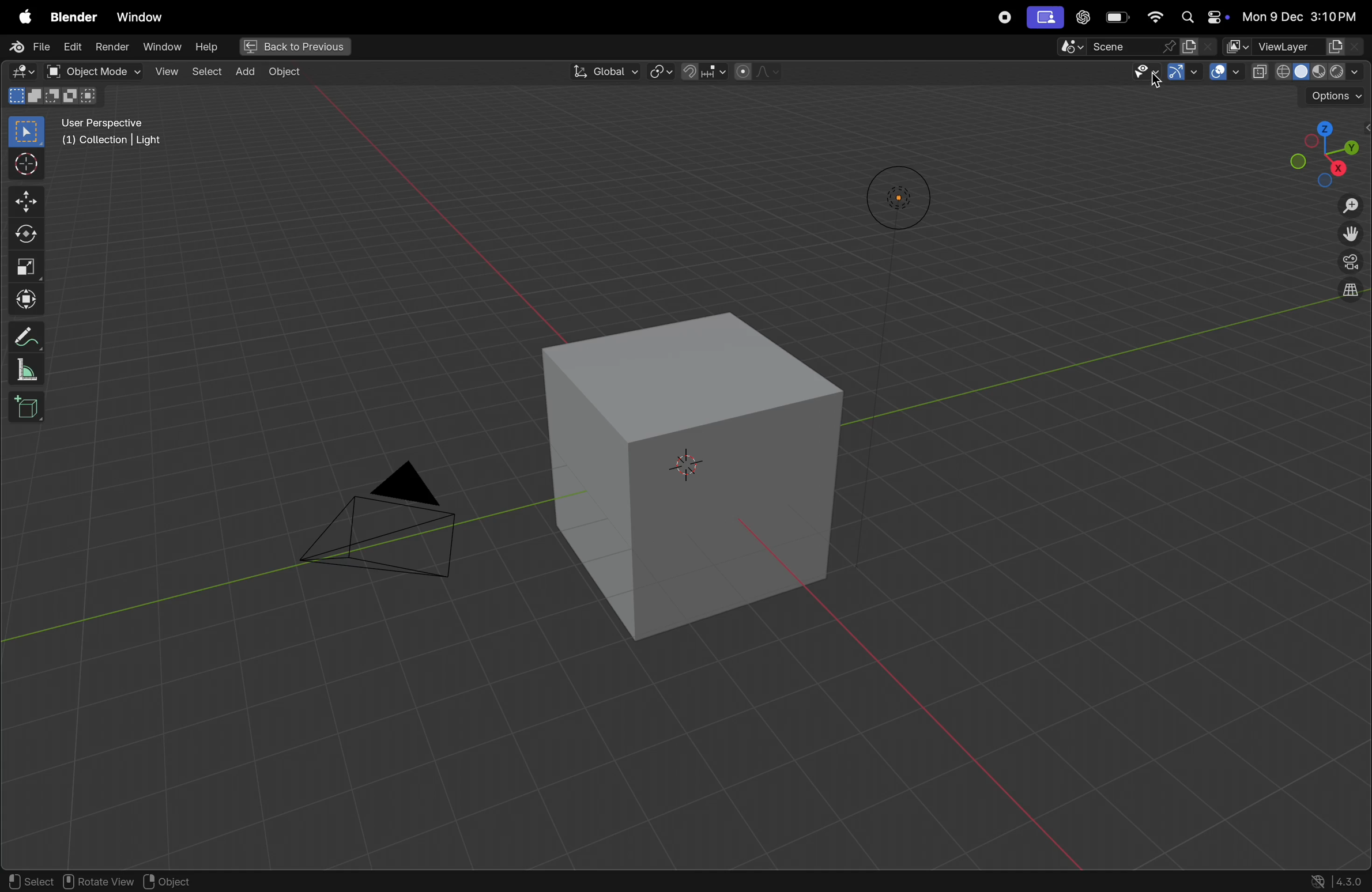 The image size is (1372, 892). What do you see at coordinates (25, 300) in the screenshot?
I see `transform` at bounding box center [25, 300].